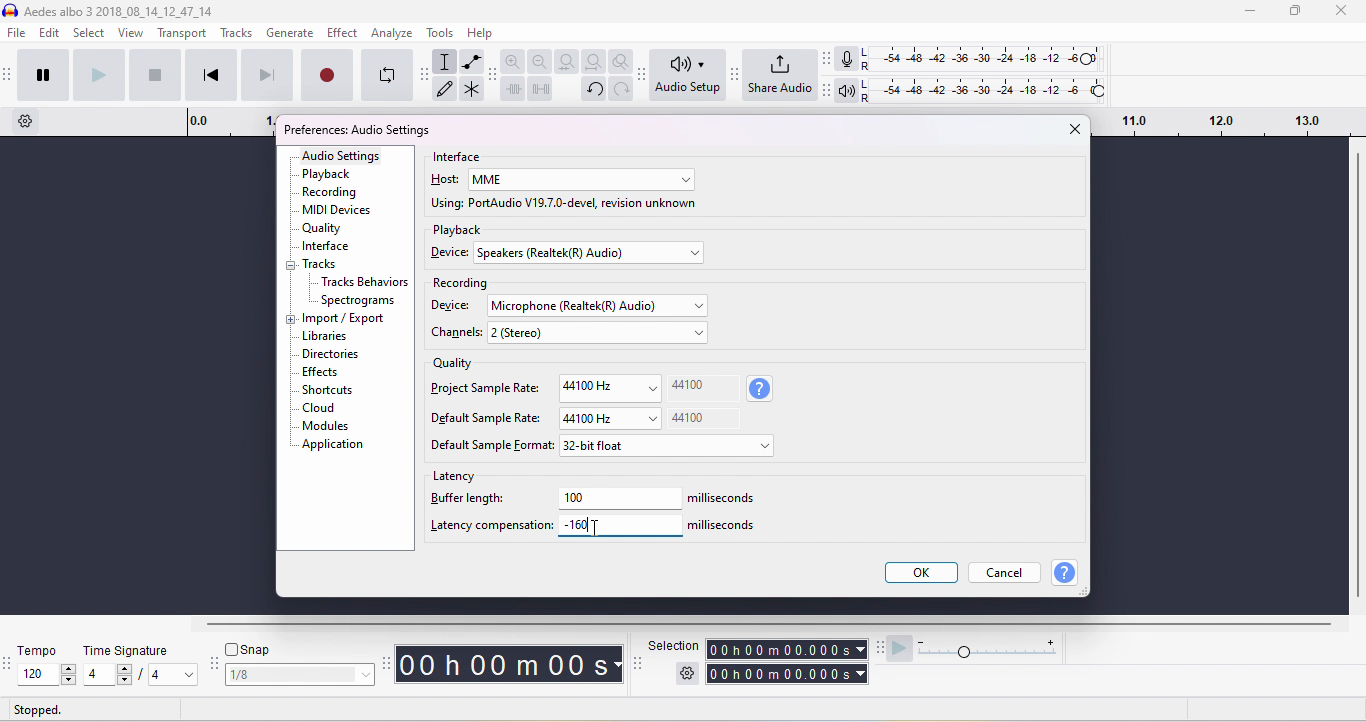 The image size is (1366, 722). Describe the element at coordinates (326, 336) in the screenshot. I see `libraries` at that location.